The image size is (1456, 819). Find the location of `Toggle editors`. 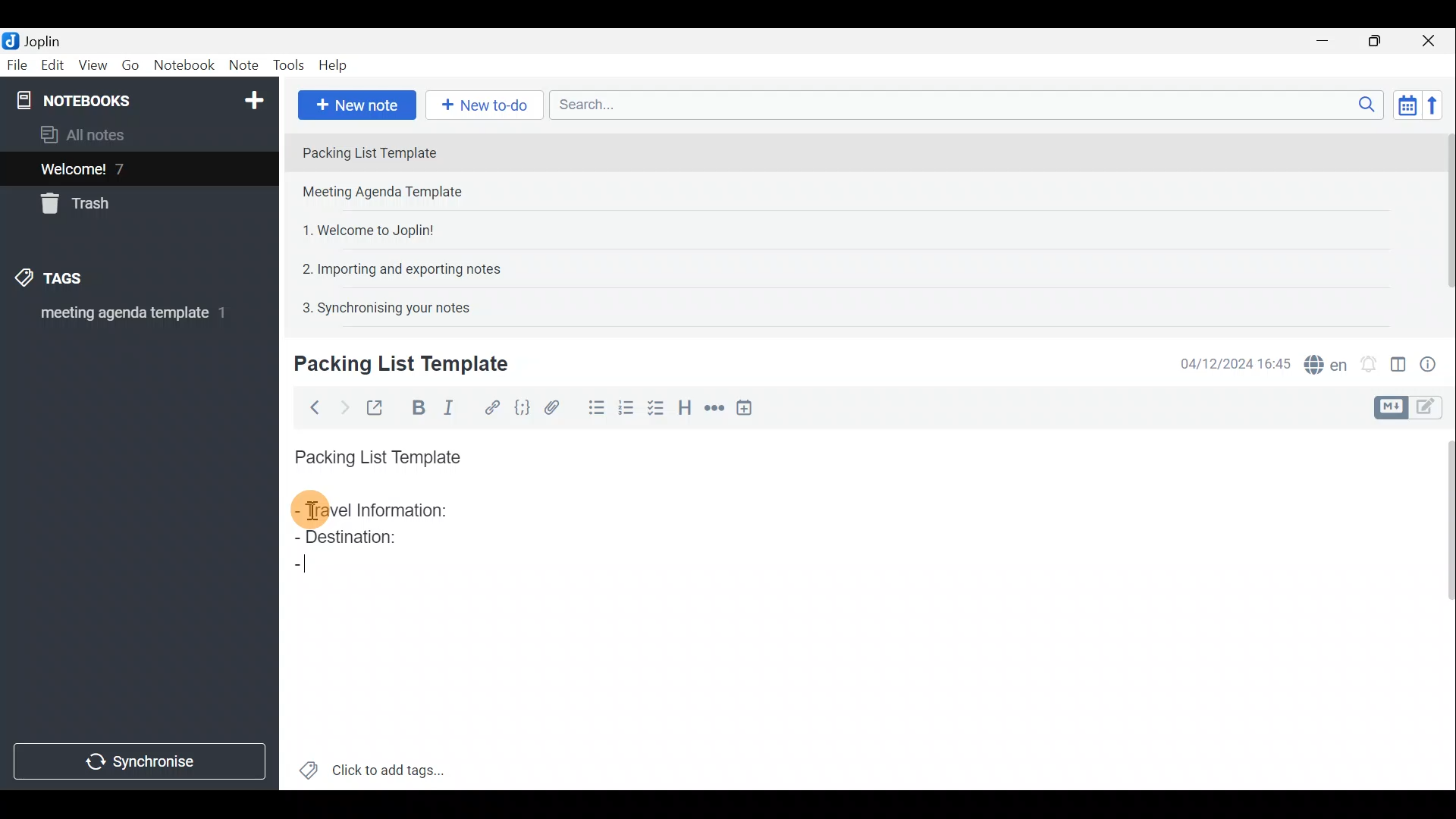

Toggle editors is located at coordinates (1433, 409).